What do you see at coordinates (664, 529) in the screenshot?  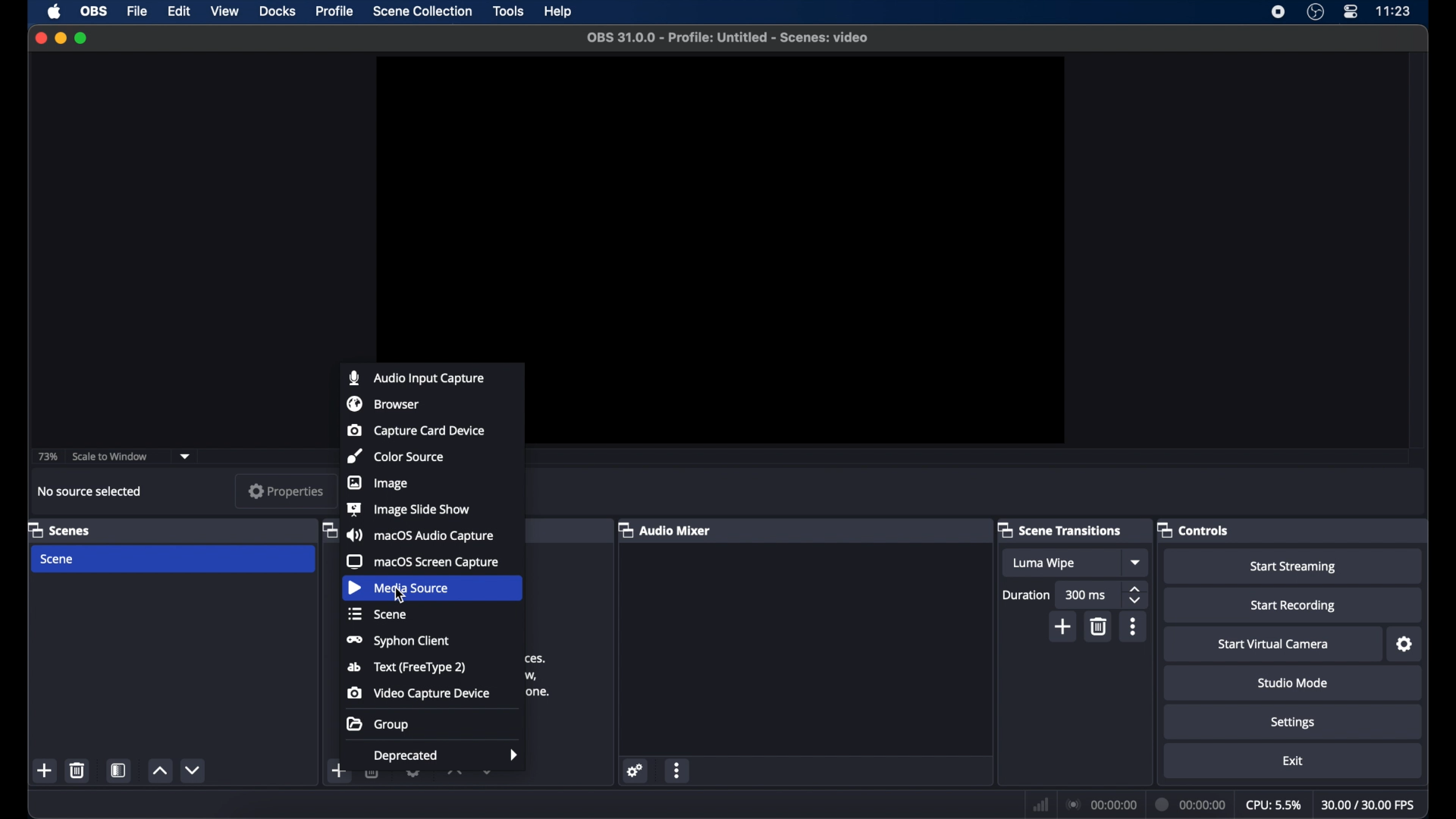 I see `audiomixer` at bounding box center [664, 529].